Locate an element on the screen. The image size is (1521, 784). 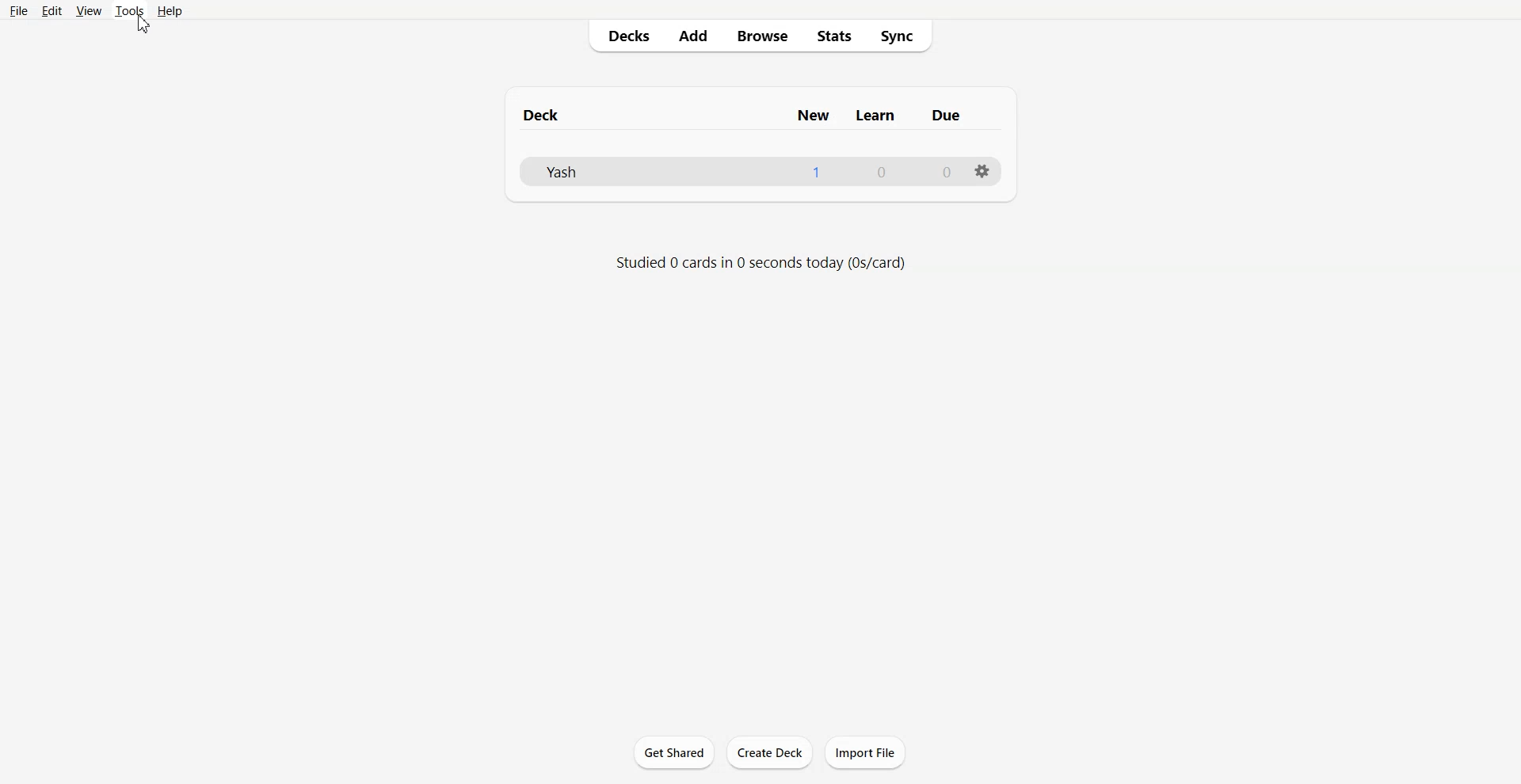
Get Shared is located at coordinates (674, 752).